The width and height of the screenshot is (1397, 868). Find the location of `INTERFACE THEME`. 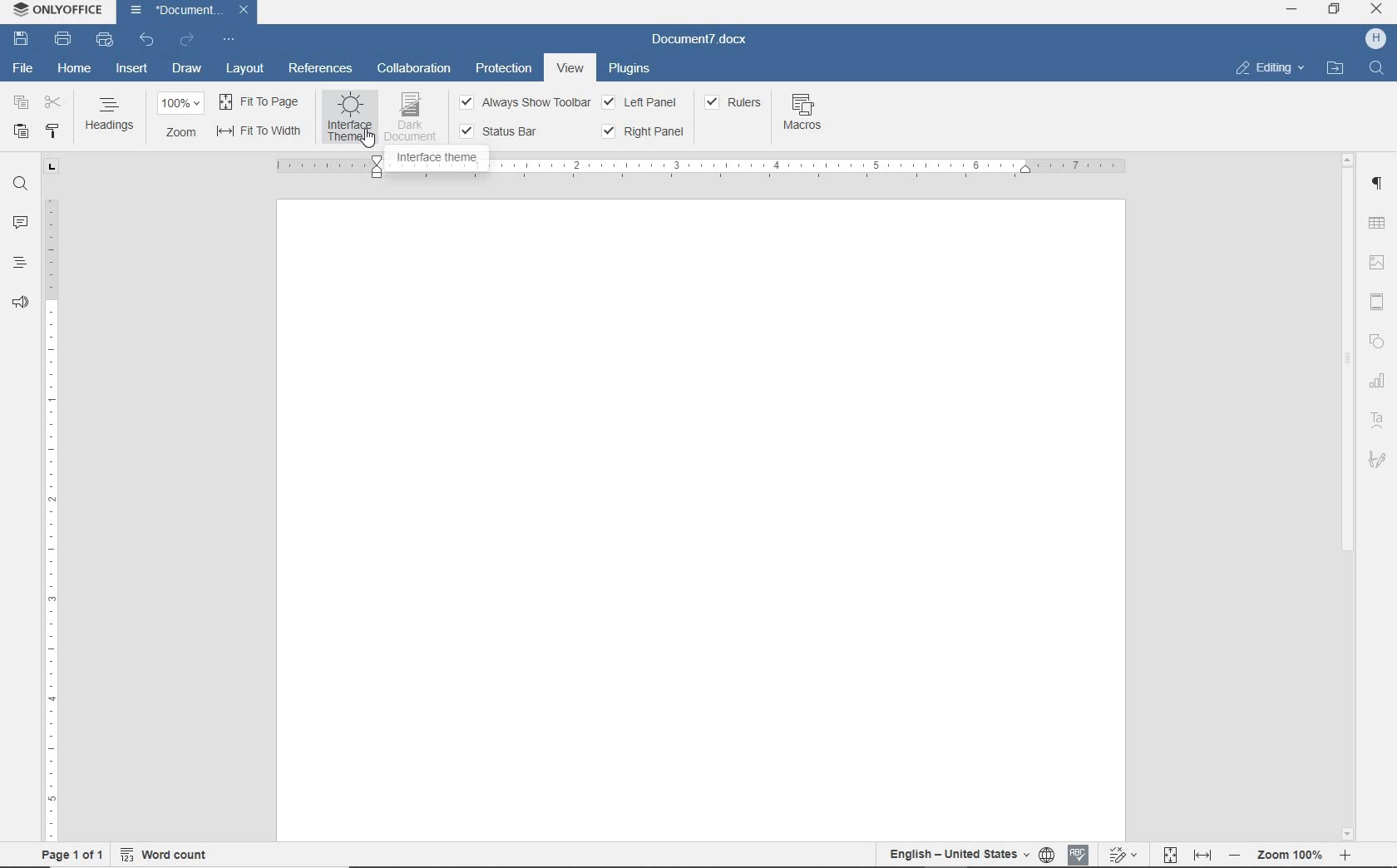

INTERFACE THEME is located at coordinates (430, 160).